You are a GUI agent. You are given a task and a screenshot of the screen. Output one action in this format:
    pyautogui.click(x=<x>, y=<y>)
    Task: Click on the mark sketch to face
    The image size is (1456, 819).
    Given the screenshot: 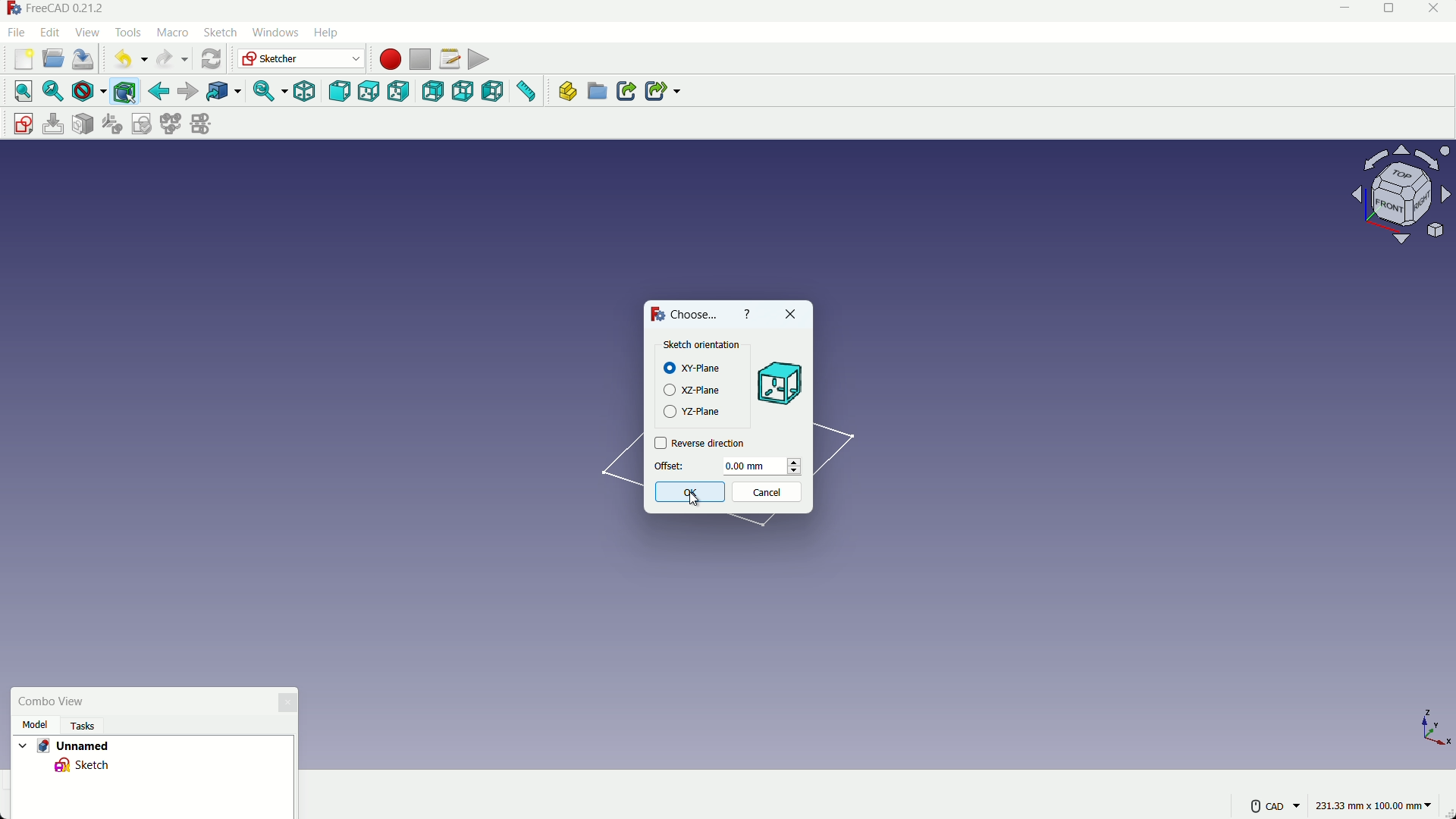 What is the action you would take?
    pyautogui.click(x=81, y=124)
    